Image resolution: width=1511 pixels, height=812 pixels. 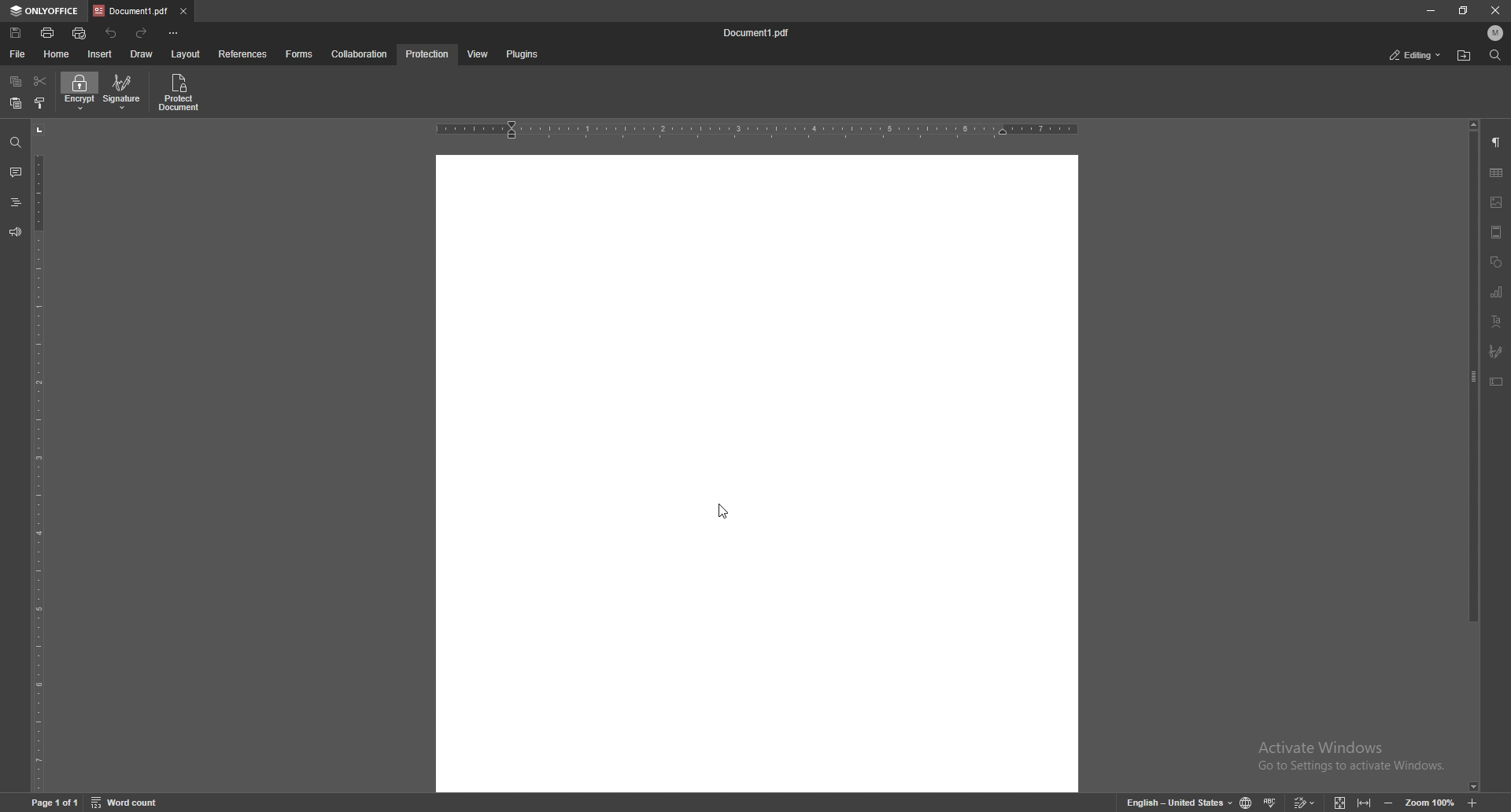 What do you see at coordinates (360, 54) in the screenshot?
I see `collaboration` at bounding box center [360, 54].